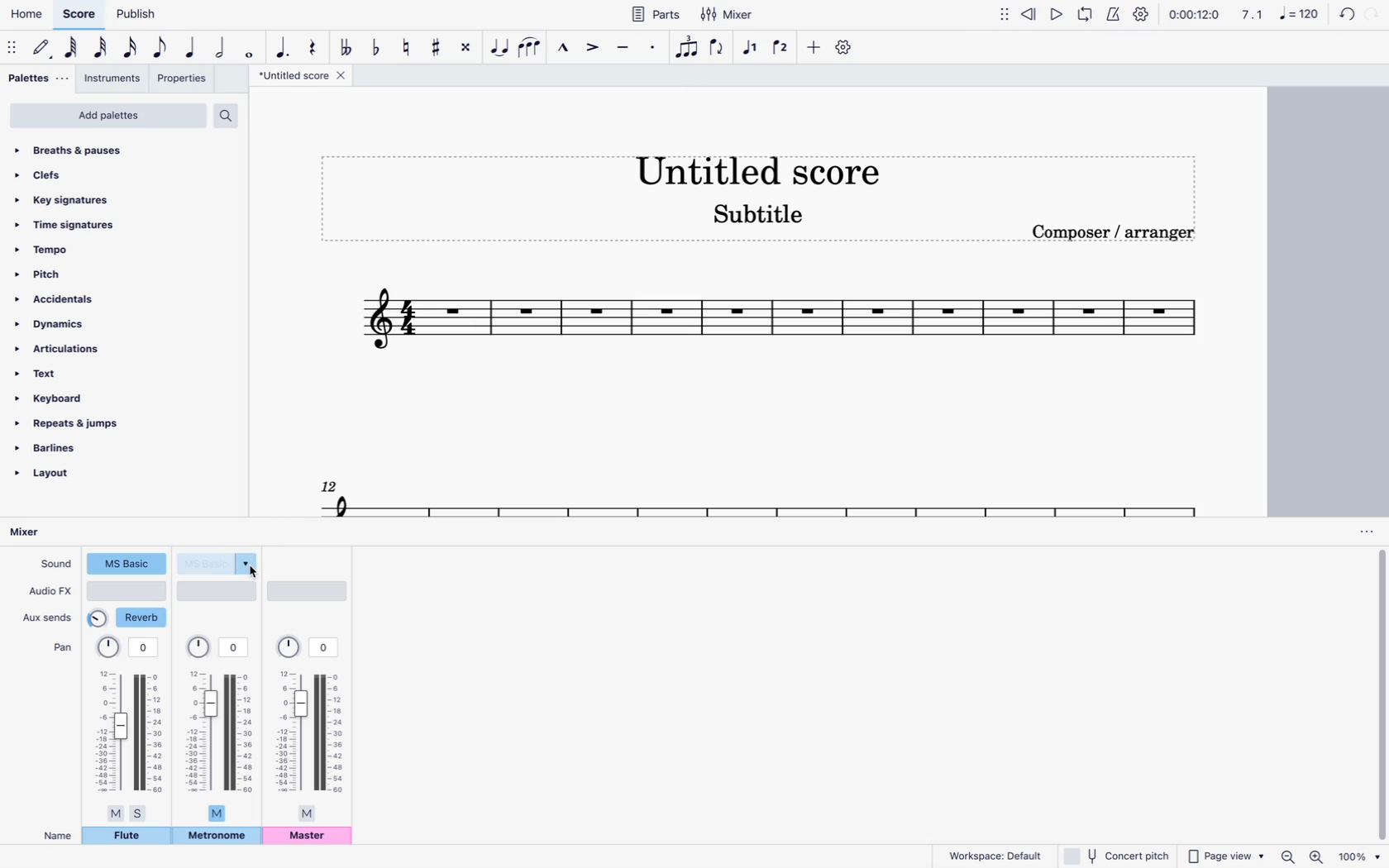 Image resolution: width=1389 pixels, height=868 pixels. I want to click on half note, so click(223, 48).